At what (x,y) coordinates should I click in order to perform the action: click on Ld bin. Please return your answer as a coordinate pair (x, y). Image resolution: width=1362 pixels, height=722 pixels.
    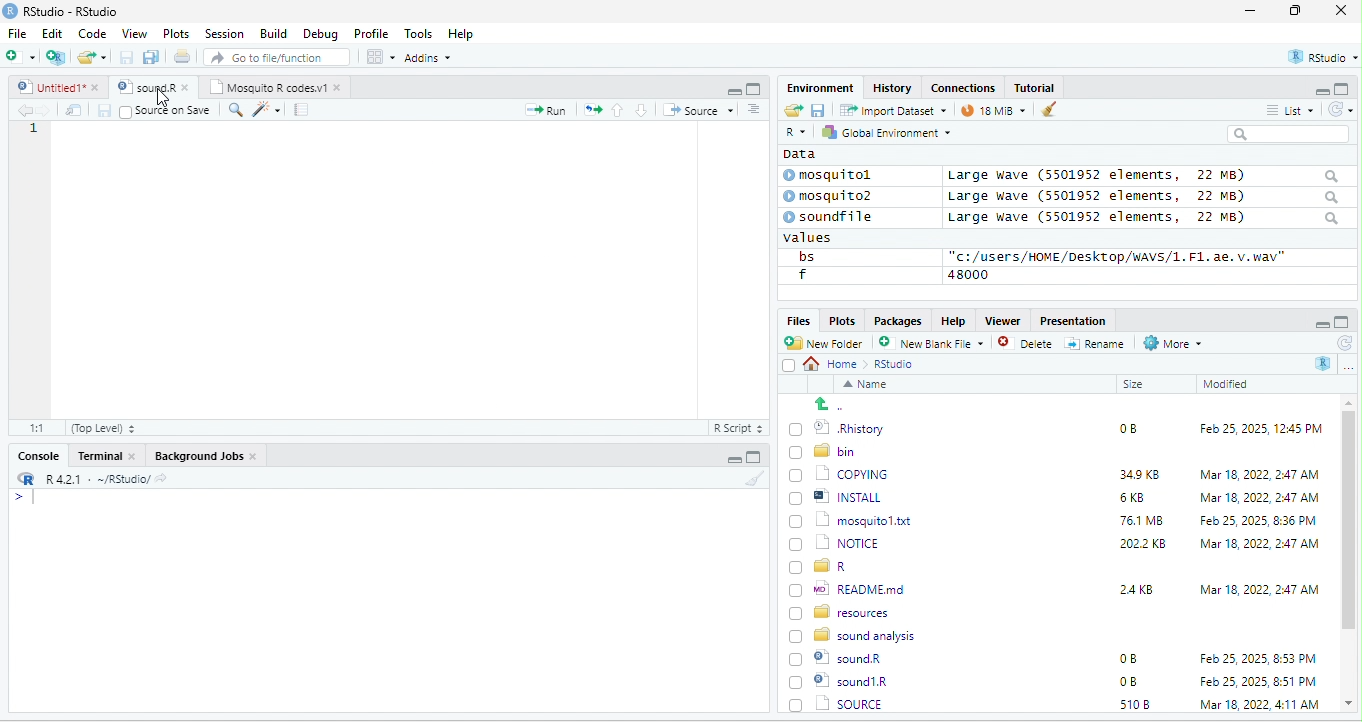
    Looking at the image, I should click on (825, 450).